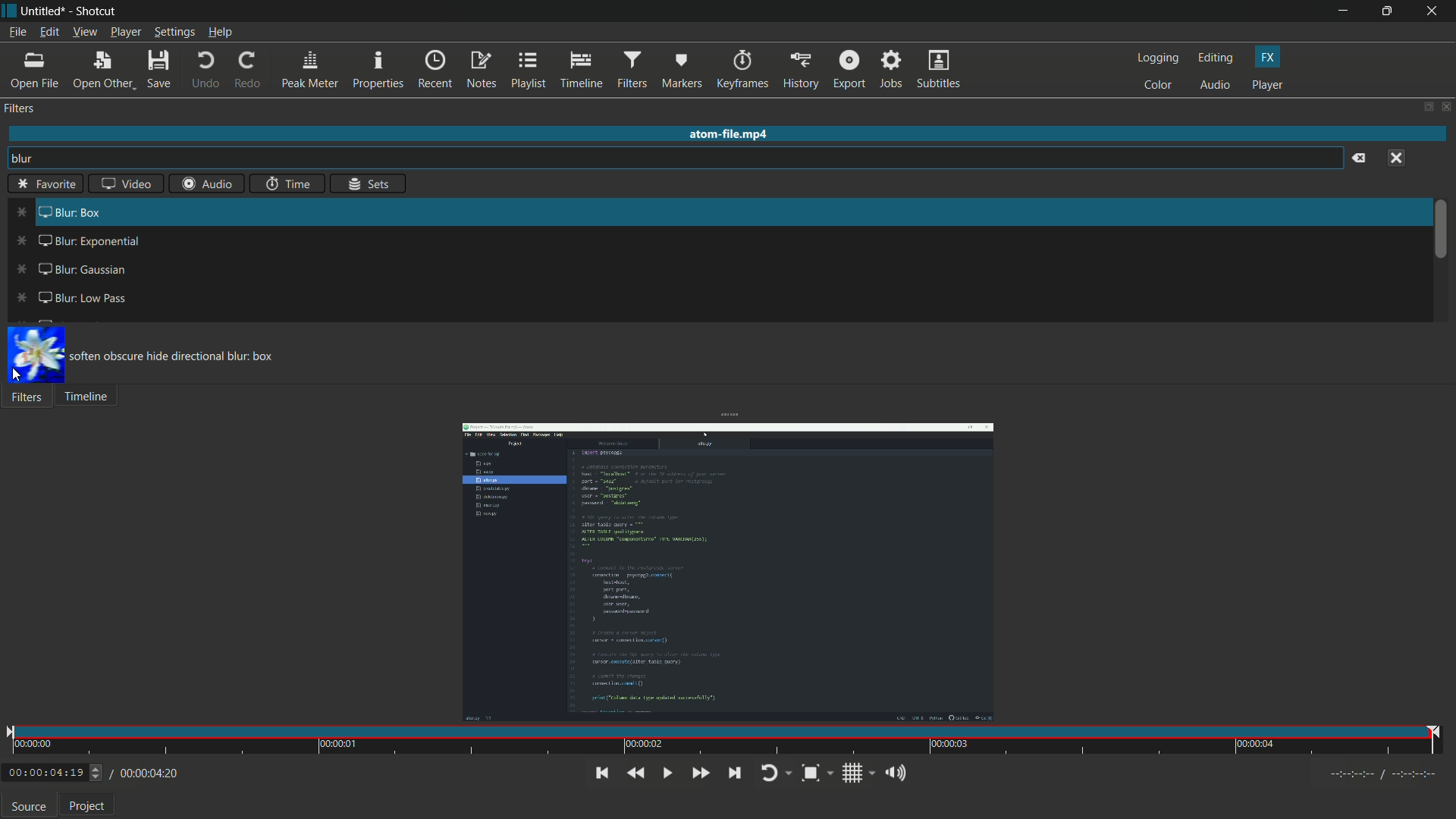 The width and height of the screenshot is (1456, 819). What do you see at coordinates (726, 572) in the screenshot?
I see `opened file` at bounding box center [726, 572].